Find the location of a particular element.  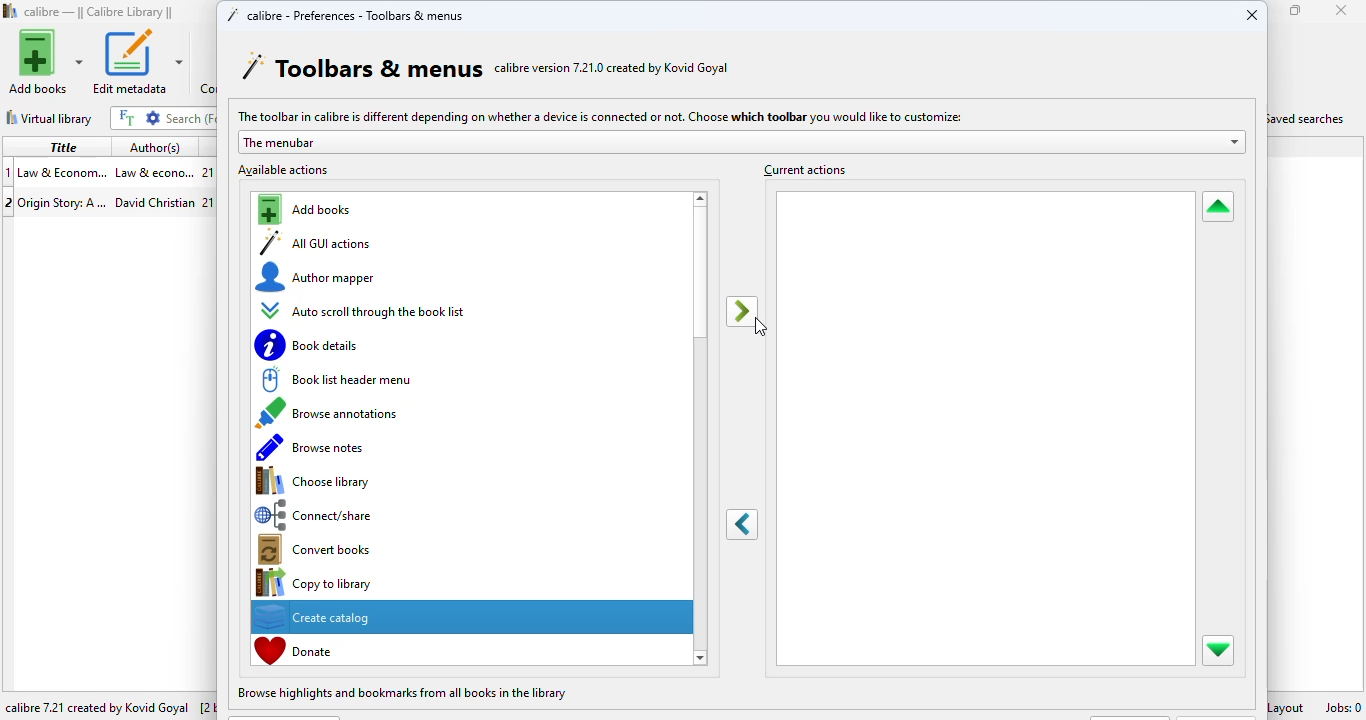

saved searches is located at coordinates (1309, 117).